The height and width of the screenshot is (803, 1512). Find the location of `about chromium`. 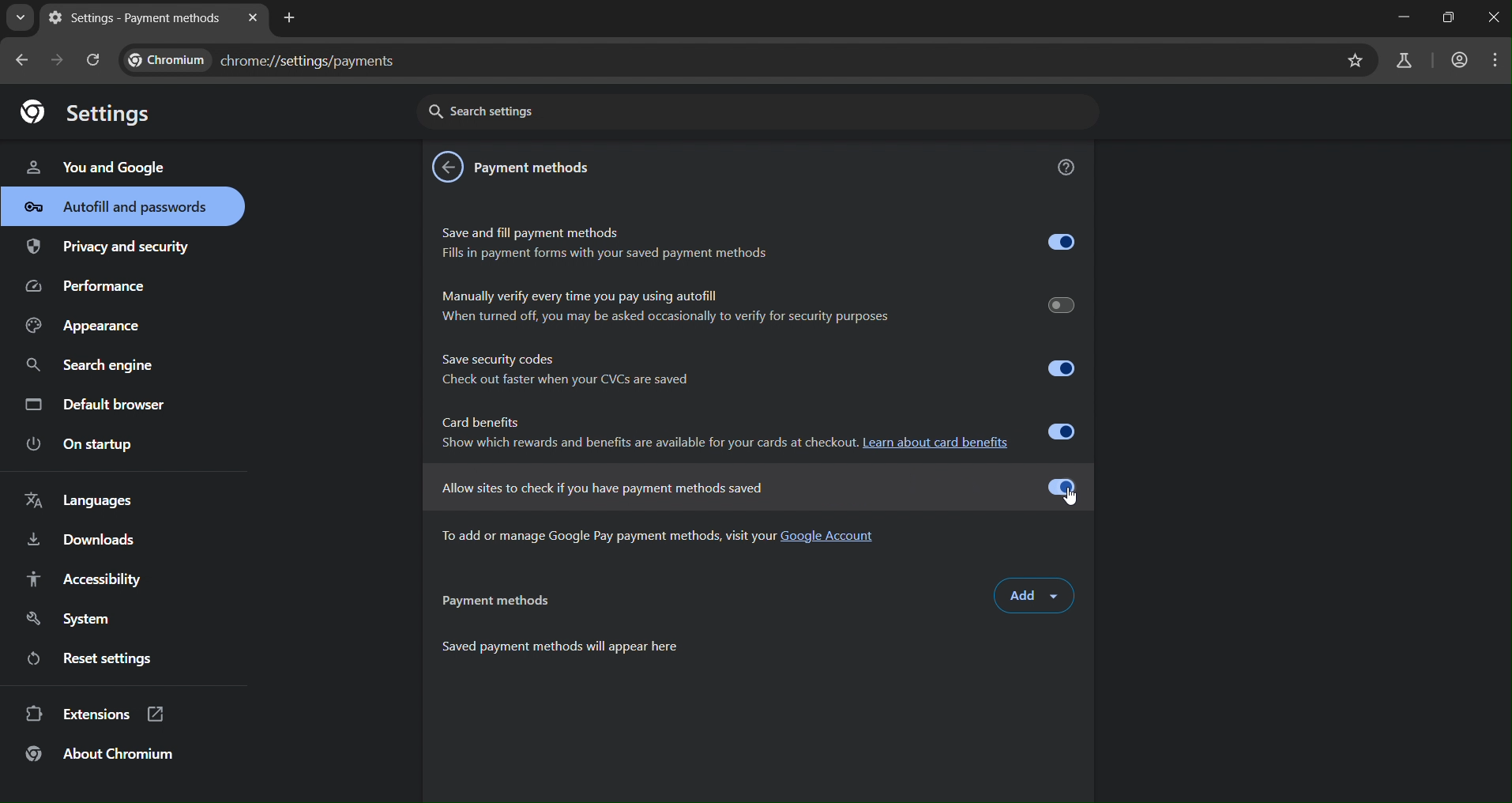

about chromium is located at coordinates (106, 754).